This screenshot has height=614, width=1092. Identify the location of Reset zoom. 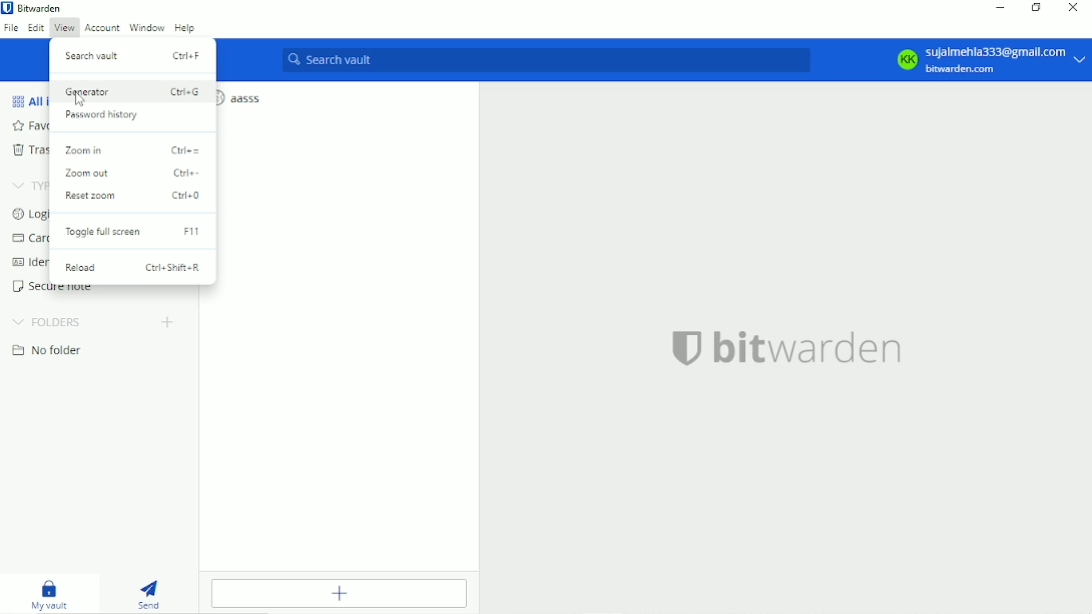
(133, 195).